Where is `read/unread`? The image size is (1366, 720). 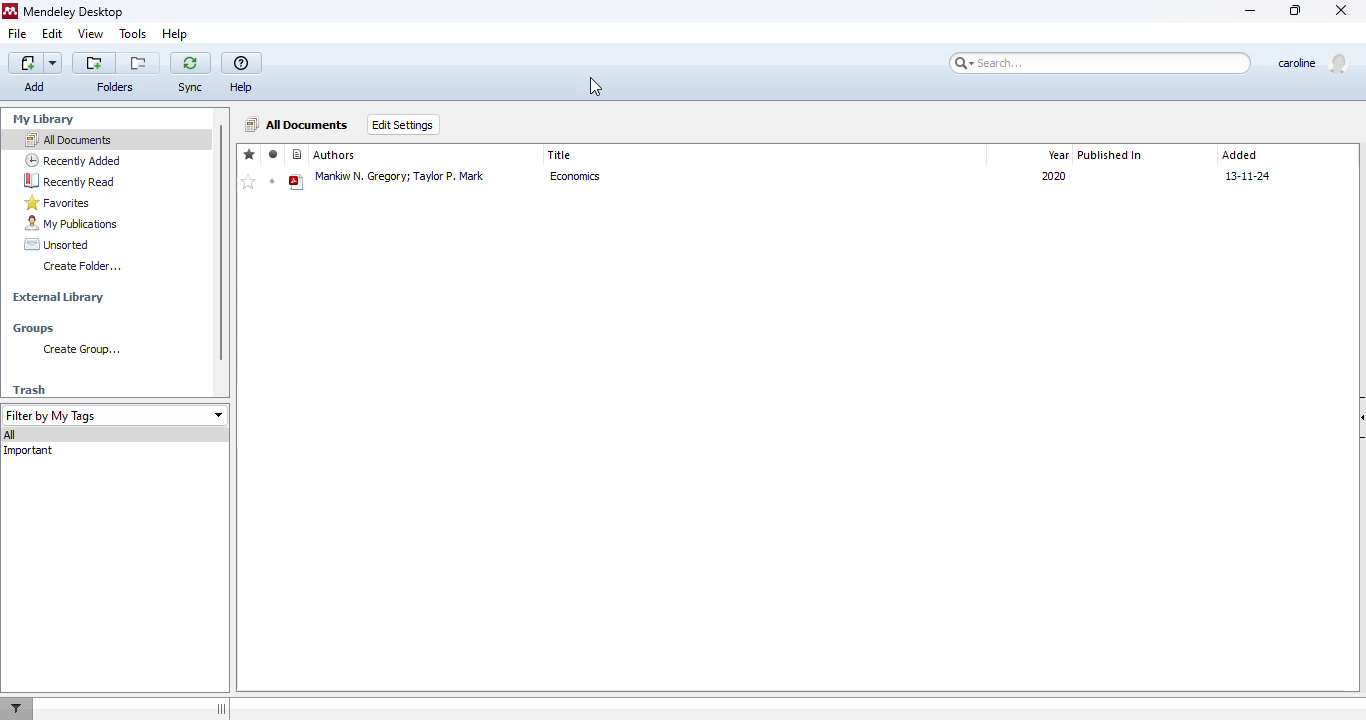
read/unread is located at coordinates (273, 154).